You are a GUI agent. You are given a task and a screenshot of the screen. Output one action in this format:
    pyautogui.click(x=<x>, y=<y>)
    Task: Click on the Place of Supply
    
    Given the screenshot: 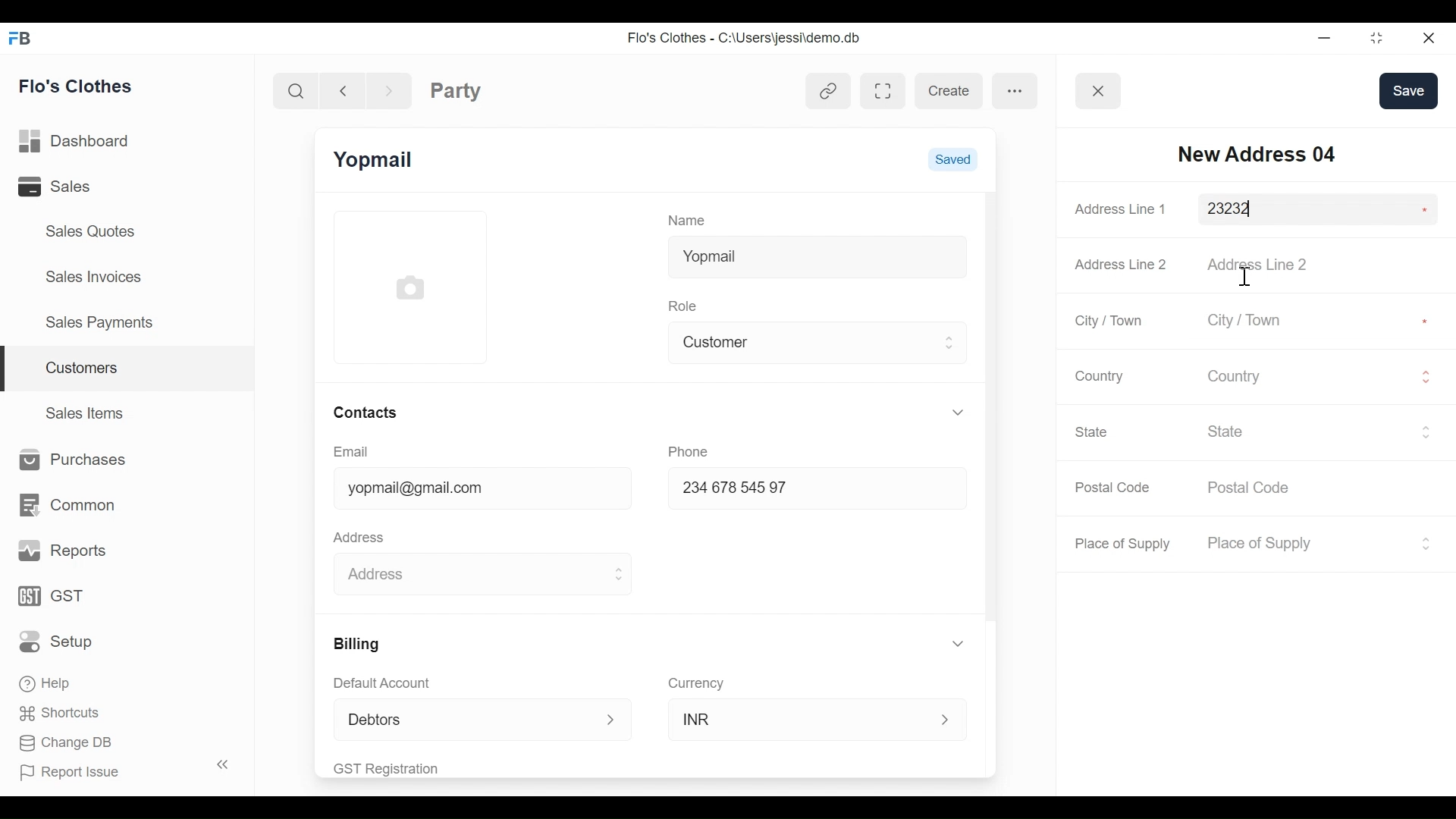 What is the action you would take?
    pyautogui.click(x=1125, y=544)
    